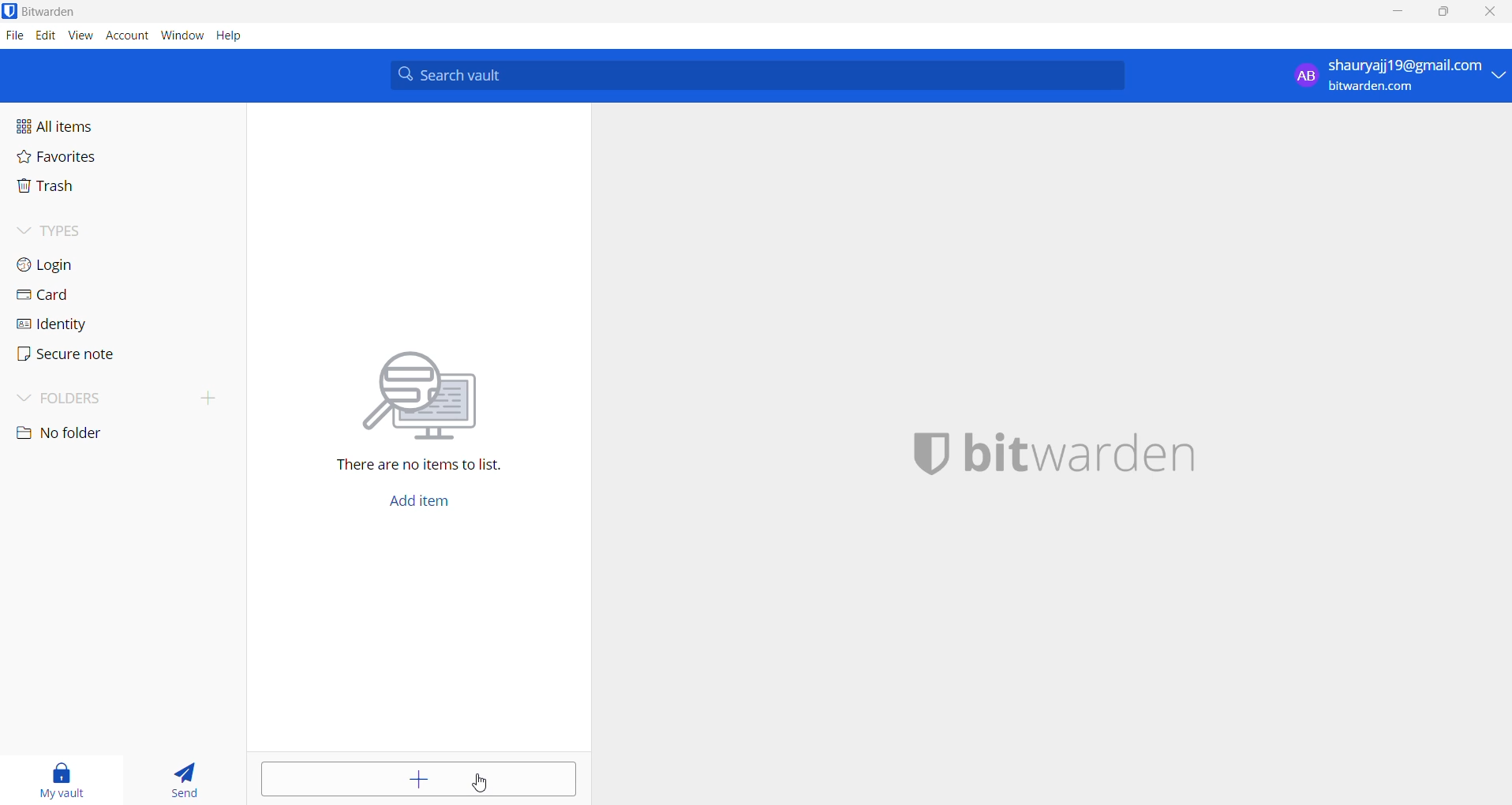  I want to click on maximize, so click(1444, 12).